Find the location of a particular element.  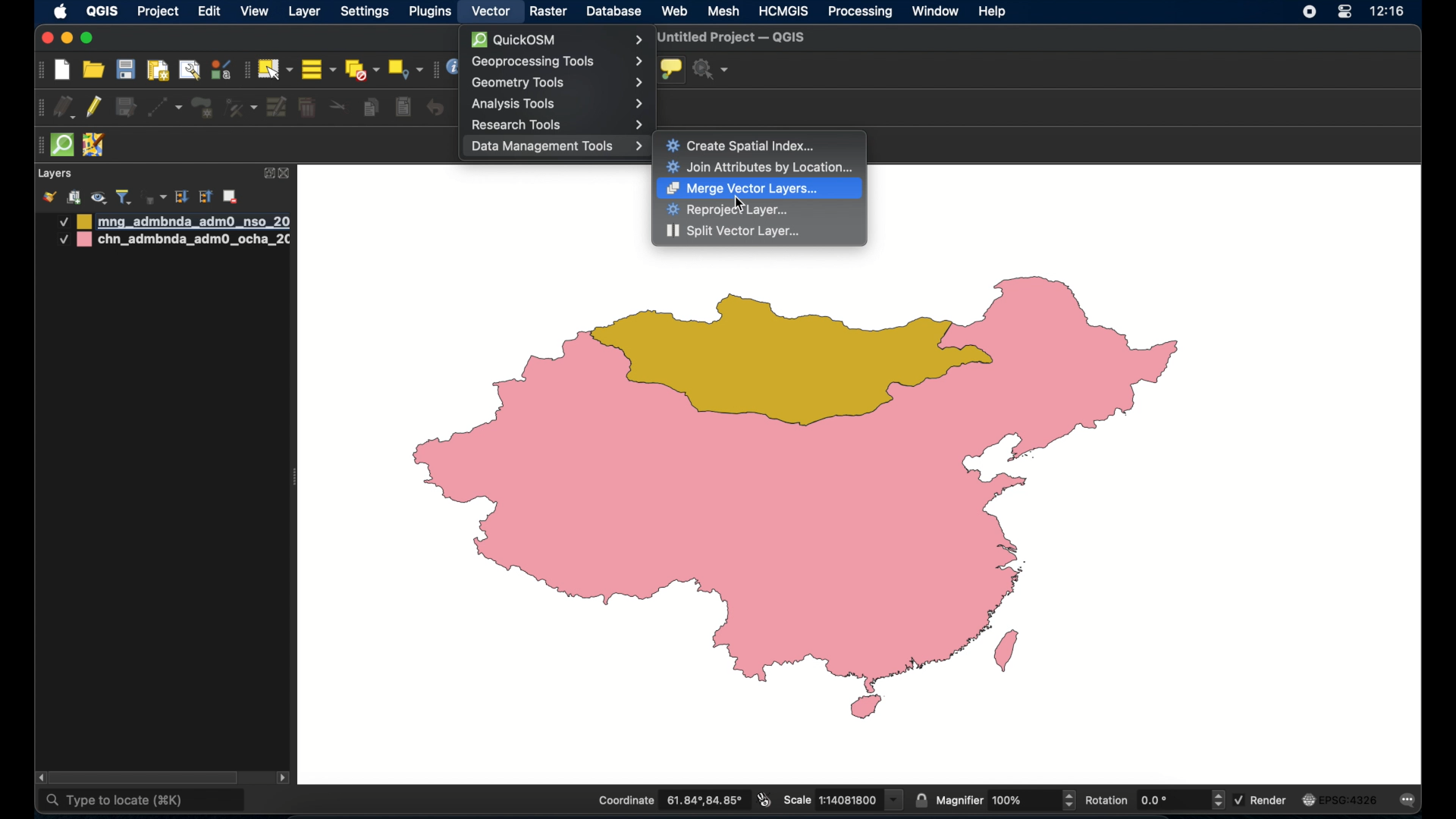

close is located at coordinates (45, 39).